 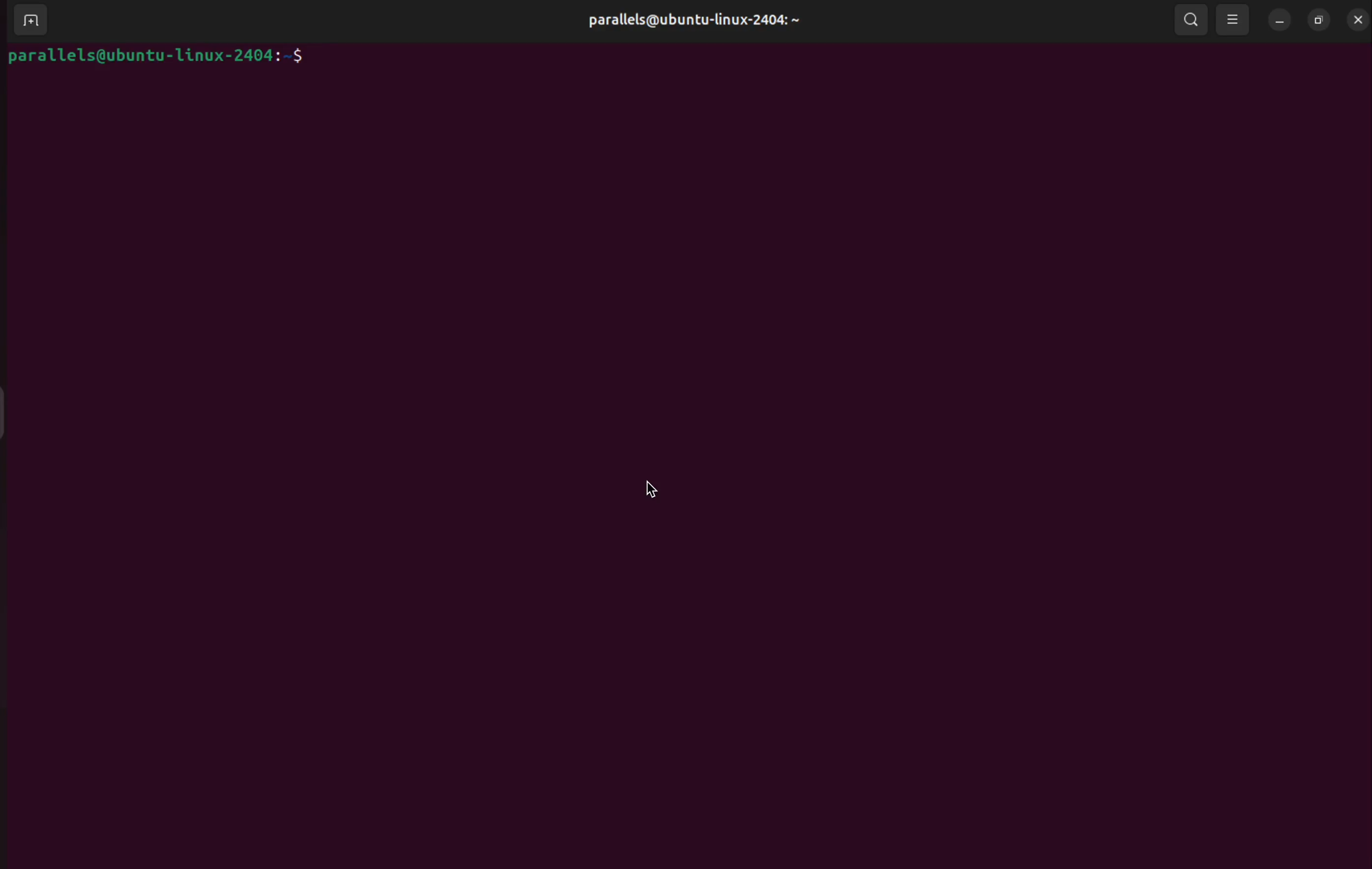 What do you see at coordinates (1190, 19) in the screenshot?
I see `search` at bounding box center [1190, 19].